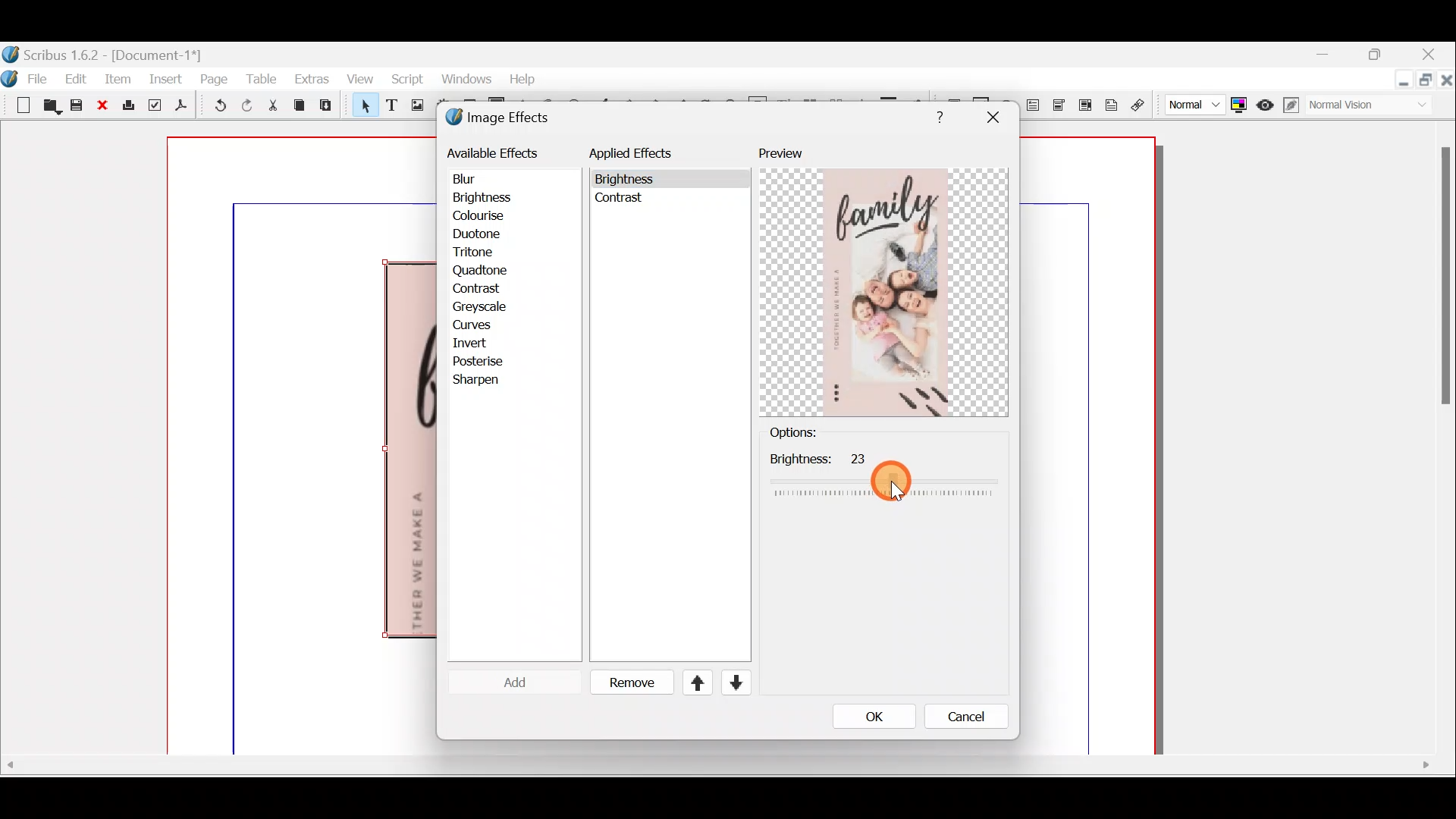  Describe the element at coordinates (311, 78) in the screenshot. I see `Extras` at that location.